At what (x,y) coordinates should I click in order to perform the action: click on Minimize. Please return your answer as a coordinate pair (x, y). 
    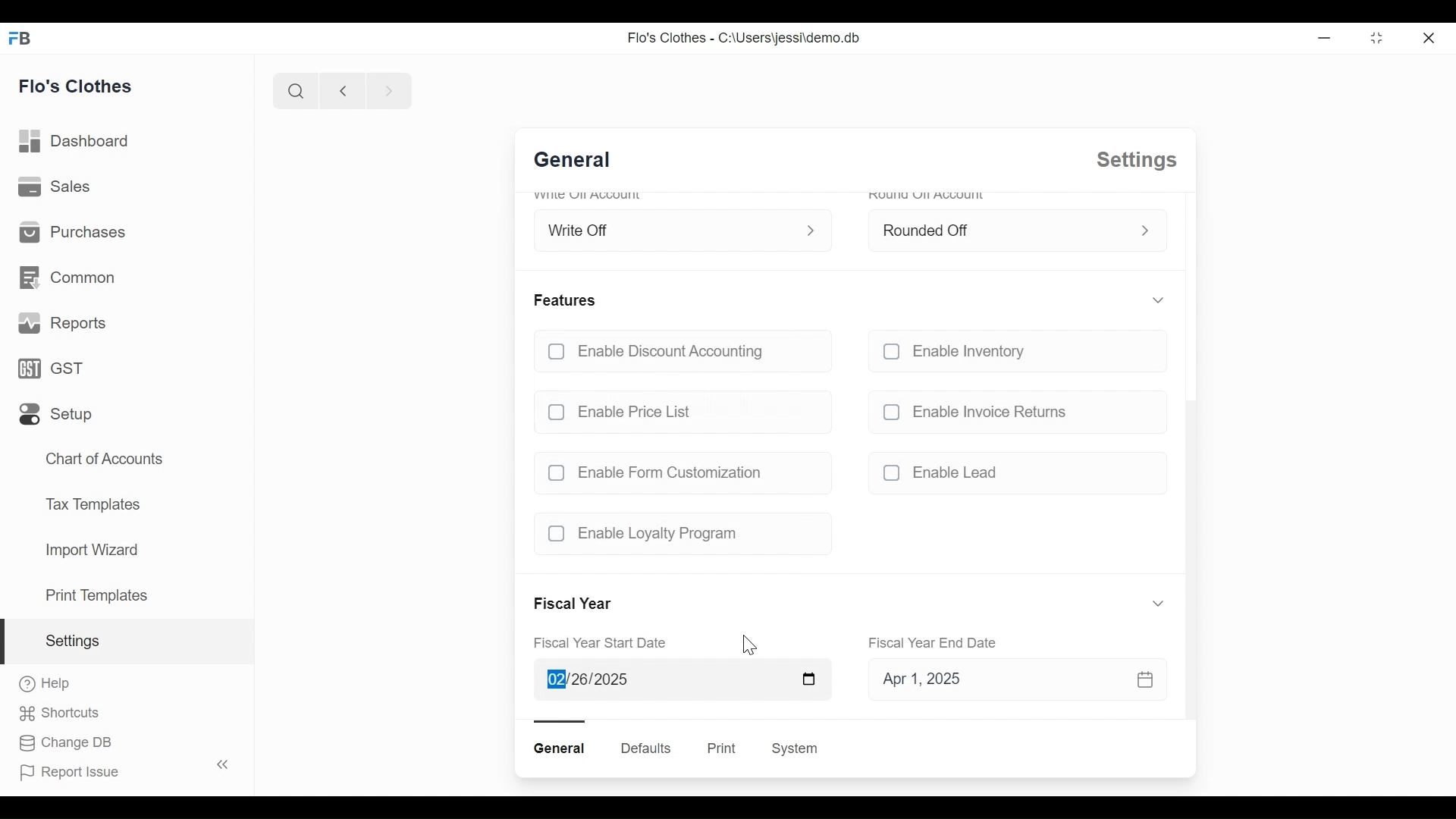
    Looking at the image, I should click on (1322, 37).